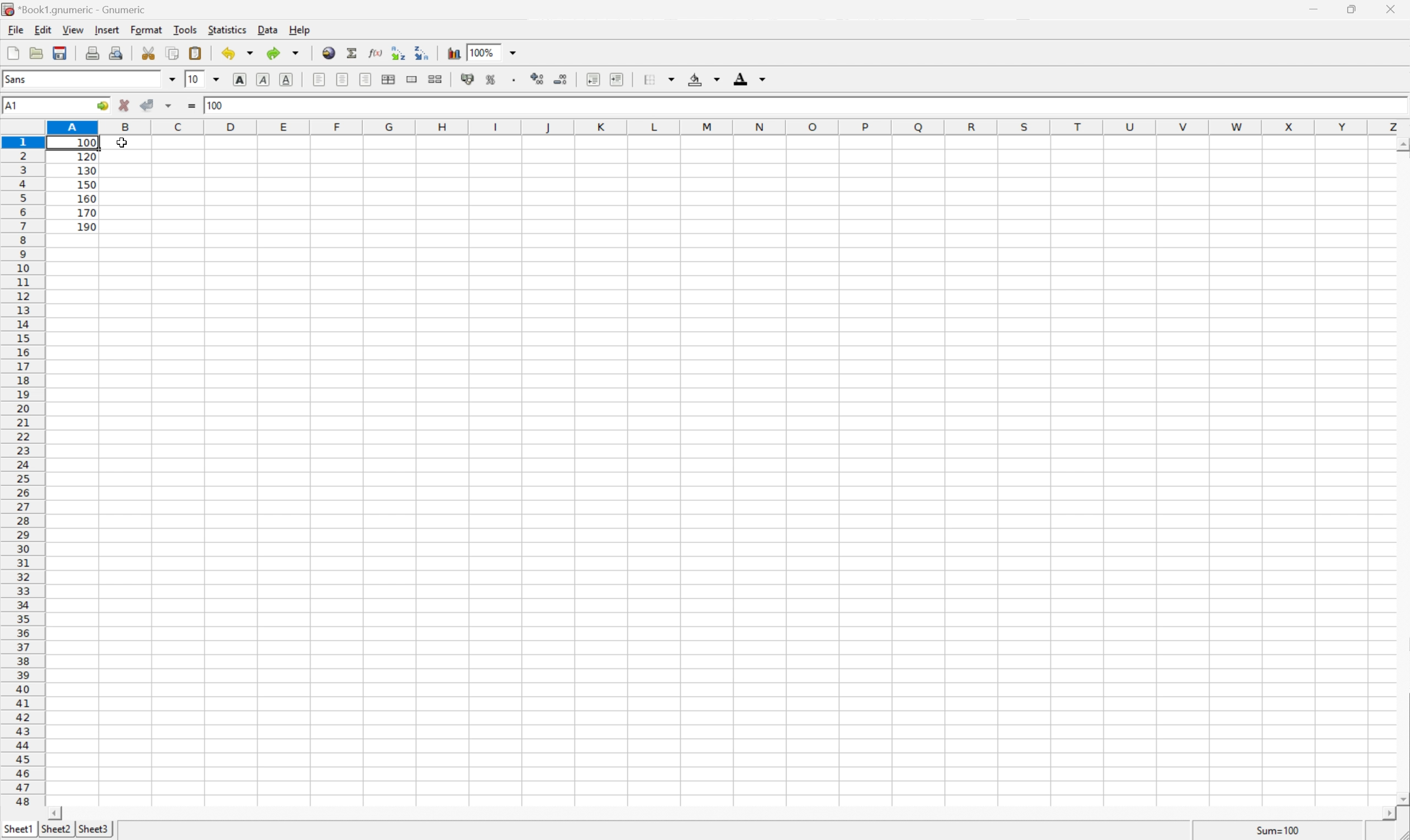 The image size is (1410, 840). Describe the element at coordinates (470, 79) in the screenshot. I see `Format the selection as accounting` at that location.